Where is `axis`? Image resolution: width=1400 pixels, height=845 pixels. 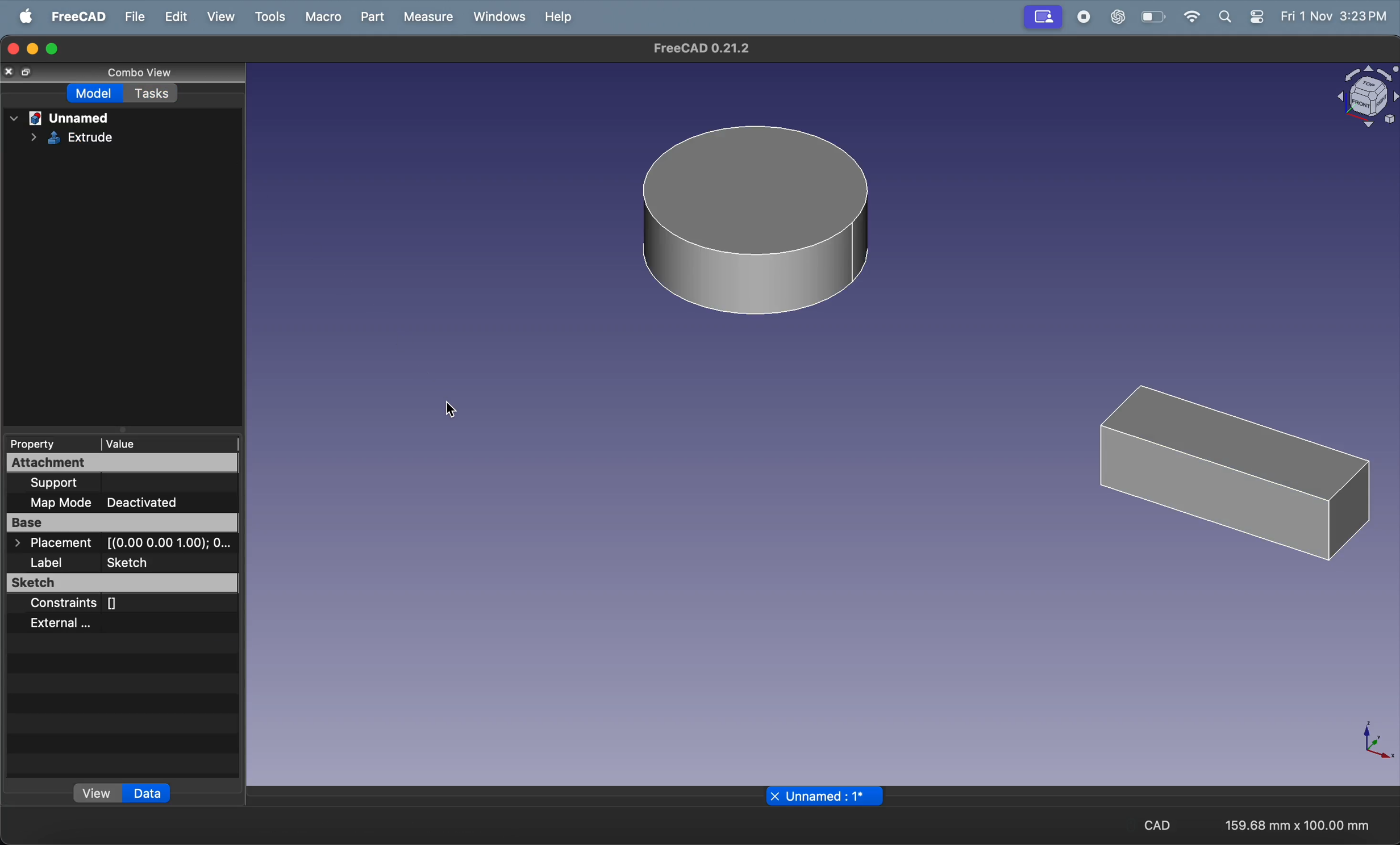
axis is located at coordinates (1373, 741).